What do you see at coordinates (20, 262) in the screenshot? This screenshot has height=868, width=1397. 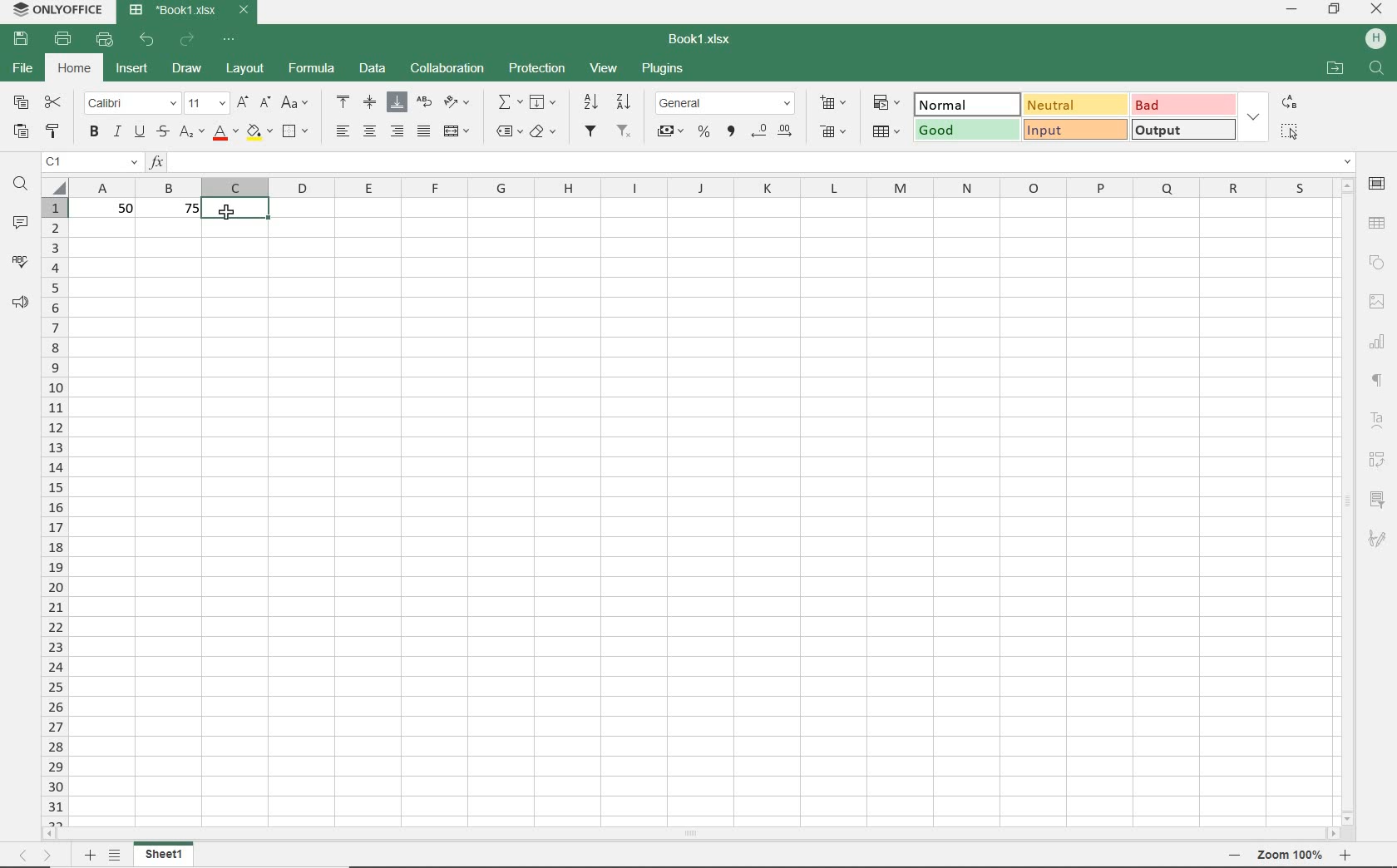 I see `spell checking` at bounding box center [20, 262].